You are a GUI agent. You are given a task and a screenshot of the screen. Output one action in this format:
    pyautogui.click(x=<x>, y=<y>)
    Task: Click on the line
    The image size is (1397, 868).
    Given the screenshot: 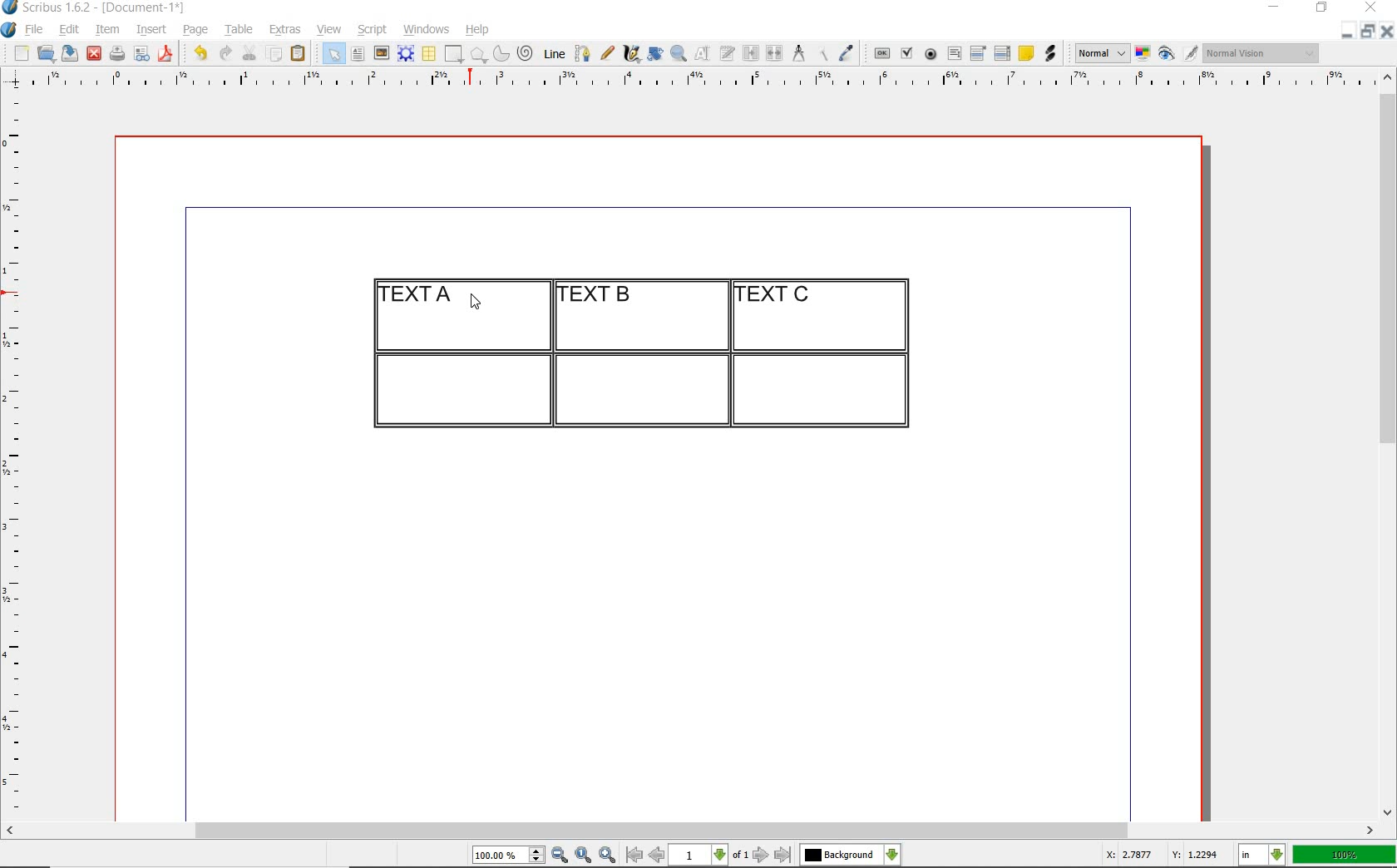 What is the action you would take?
    pyautogui.click(x=552, y=53)
    